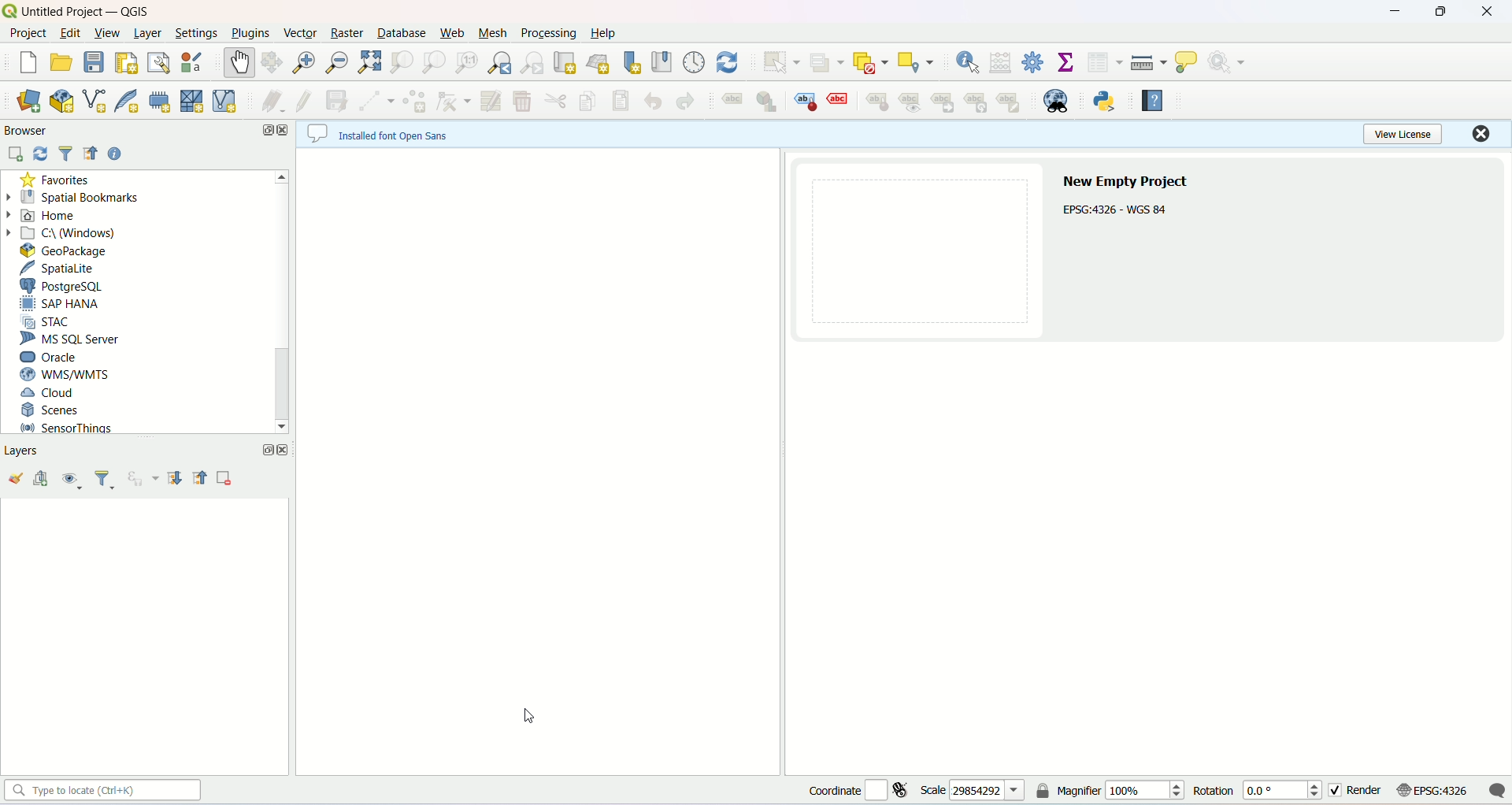 The width and height of the screenshot is (1512, 805). I want to click on  29854292 , so click(986, 790).